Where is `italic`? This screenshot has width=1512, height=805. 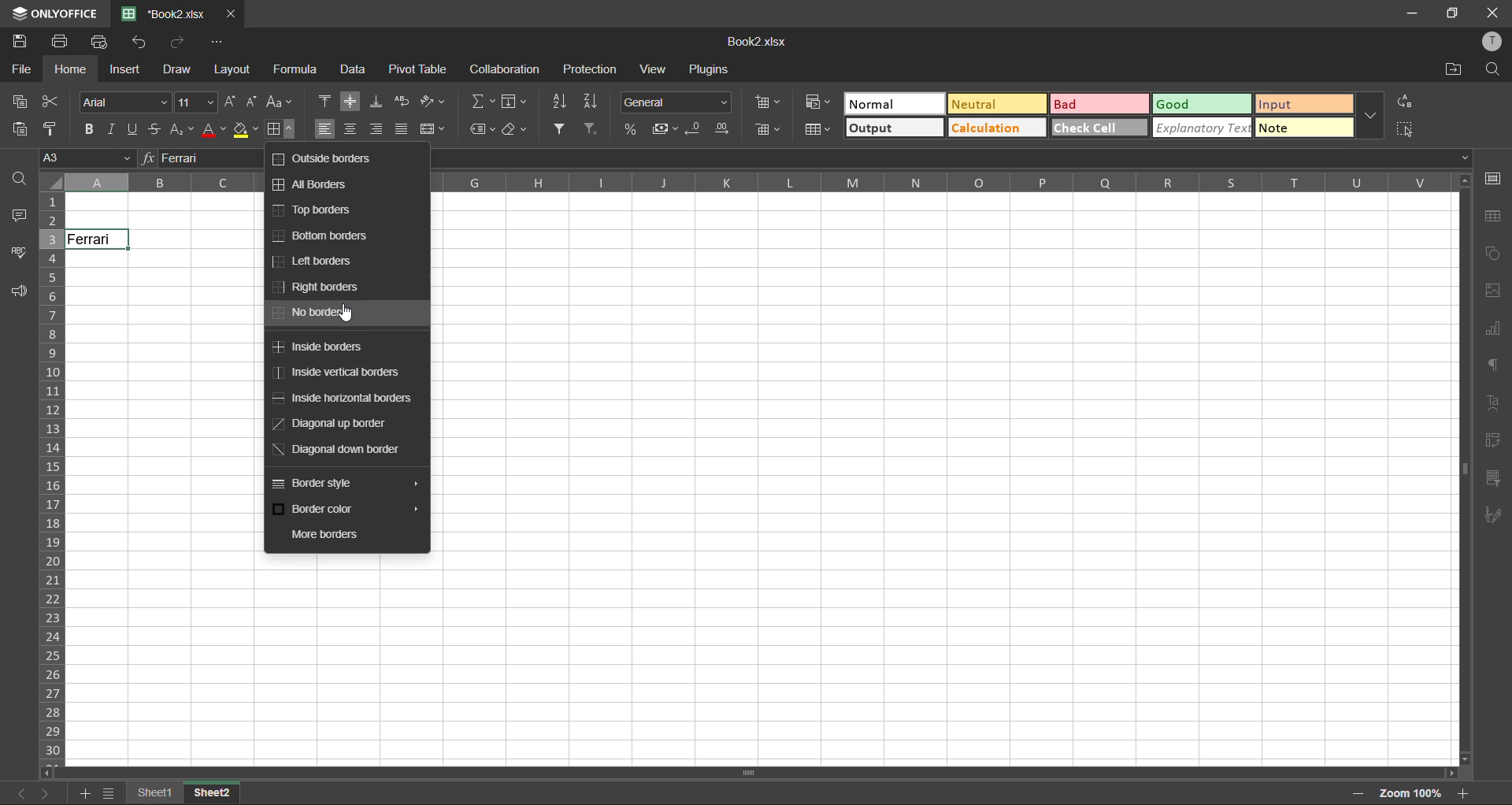
italic is located at coordinates (114, 129).